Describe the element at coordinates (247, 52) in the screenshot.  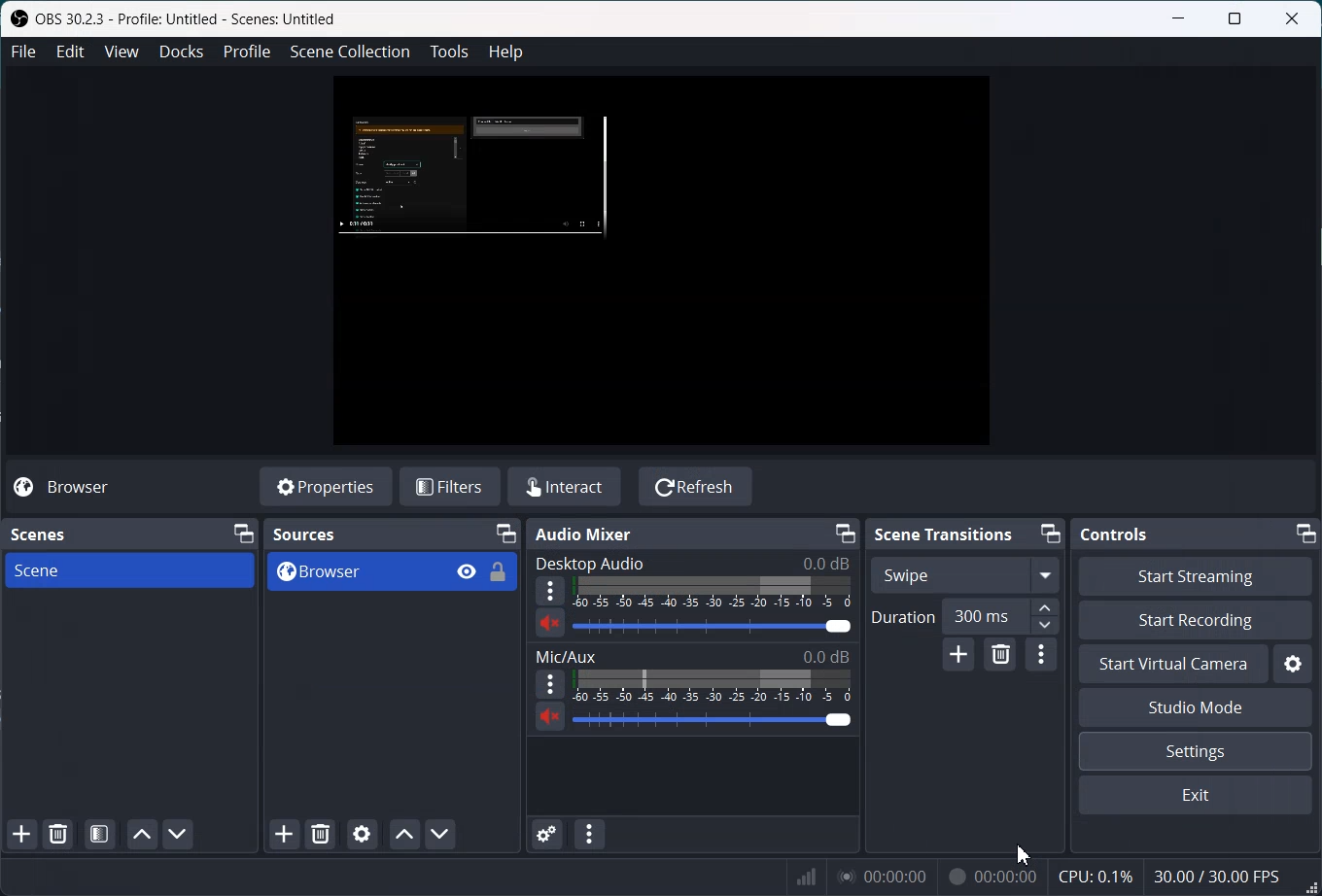
I see `Profile` at that location.